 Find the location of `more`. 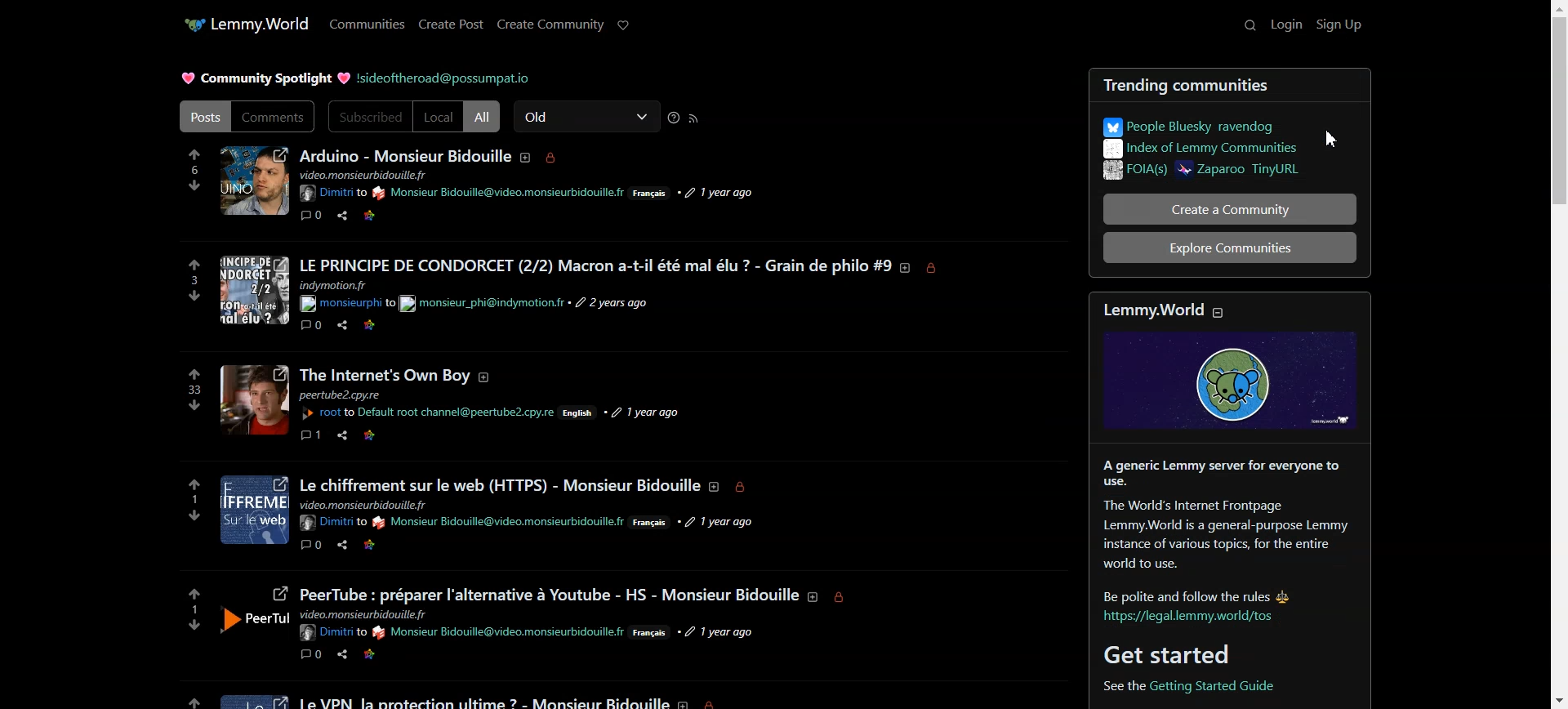

more is located at coordinates (462, 658).